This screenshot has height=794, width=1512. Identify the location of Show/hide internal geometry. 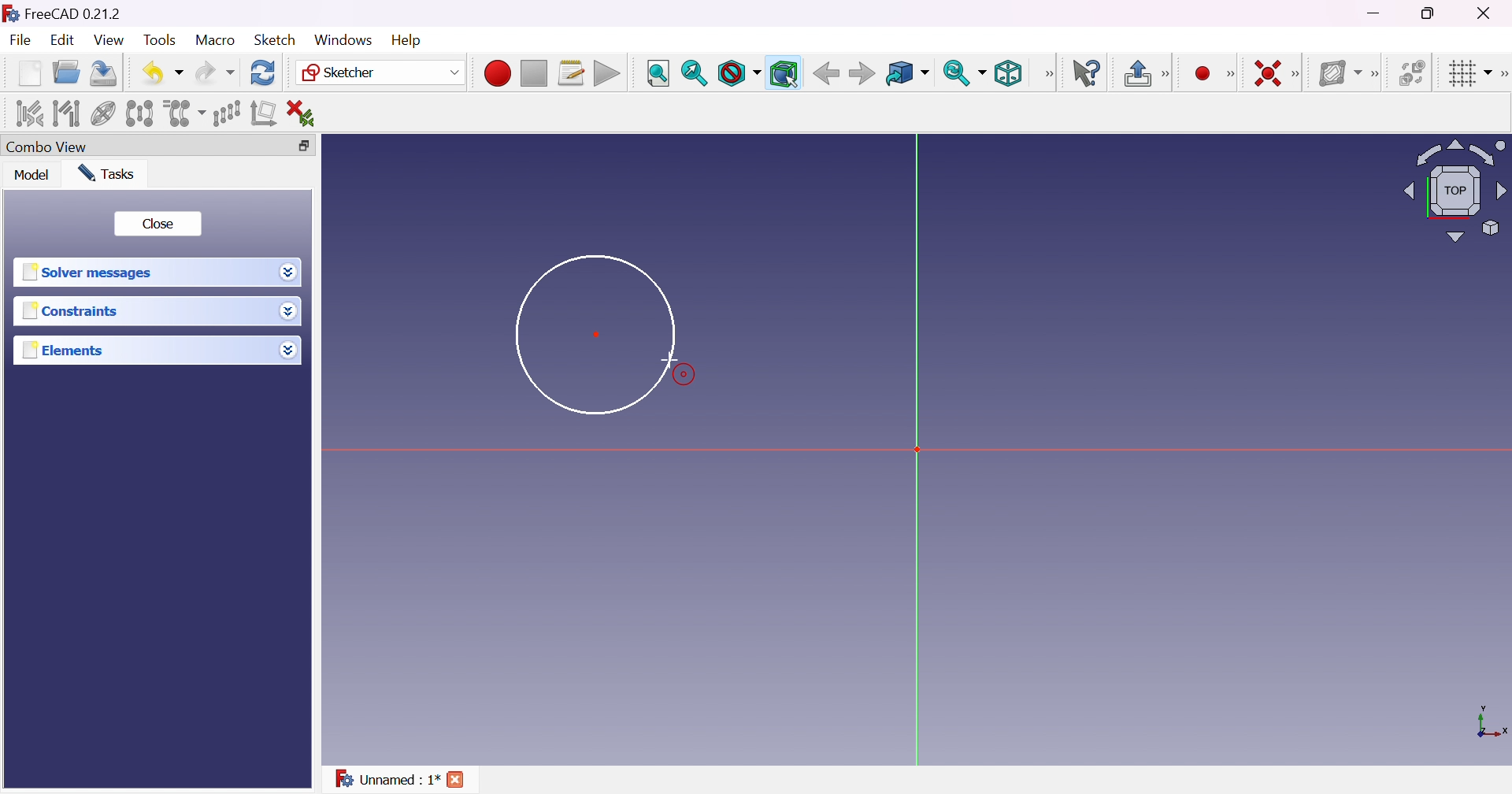
(104, 113).